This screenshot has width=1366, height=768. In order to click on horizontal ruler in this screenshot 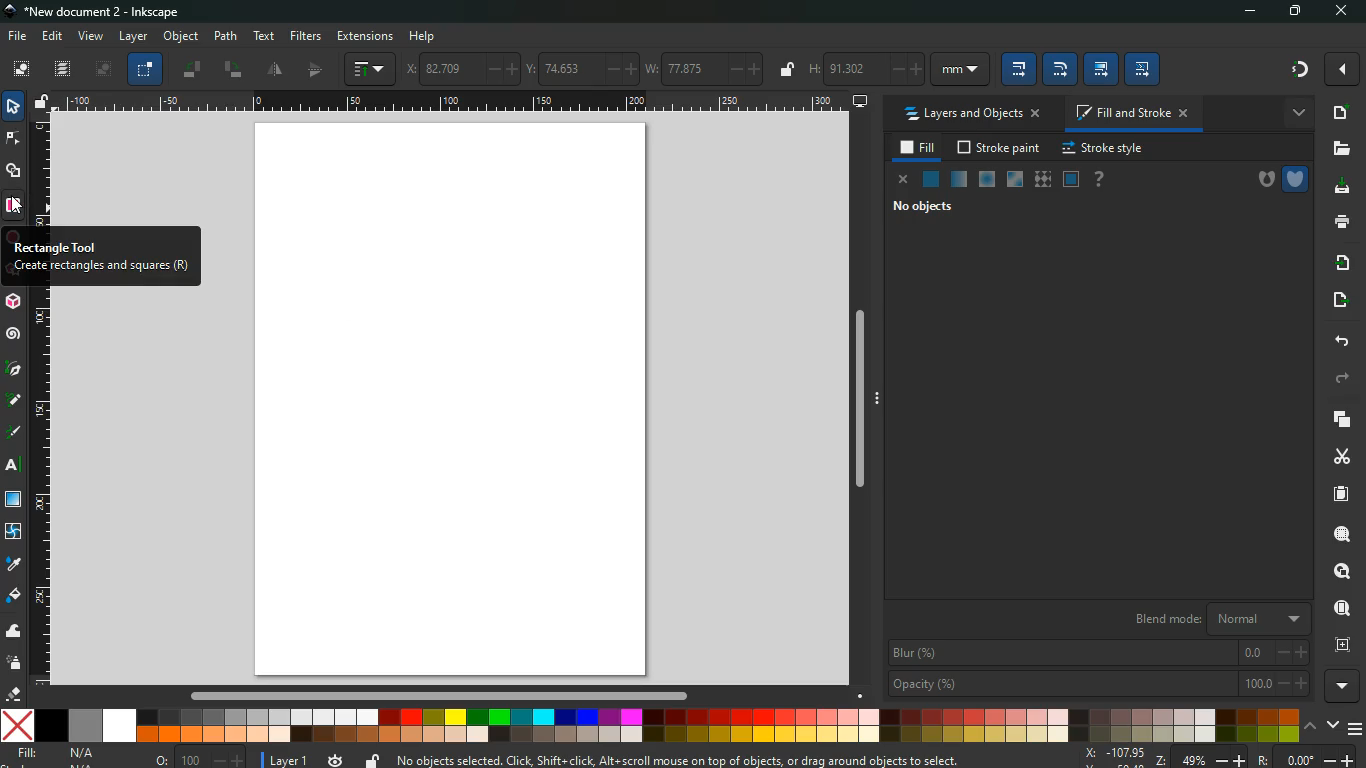, I will do `click(448, 104)`.